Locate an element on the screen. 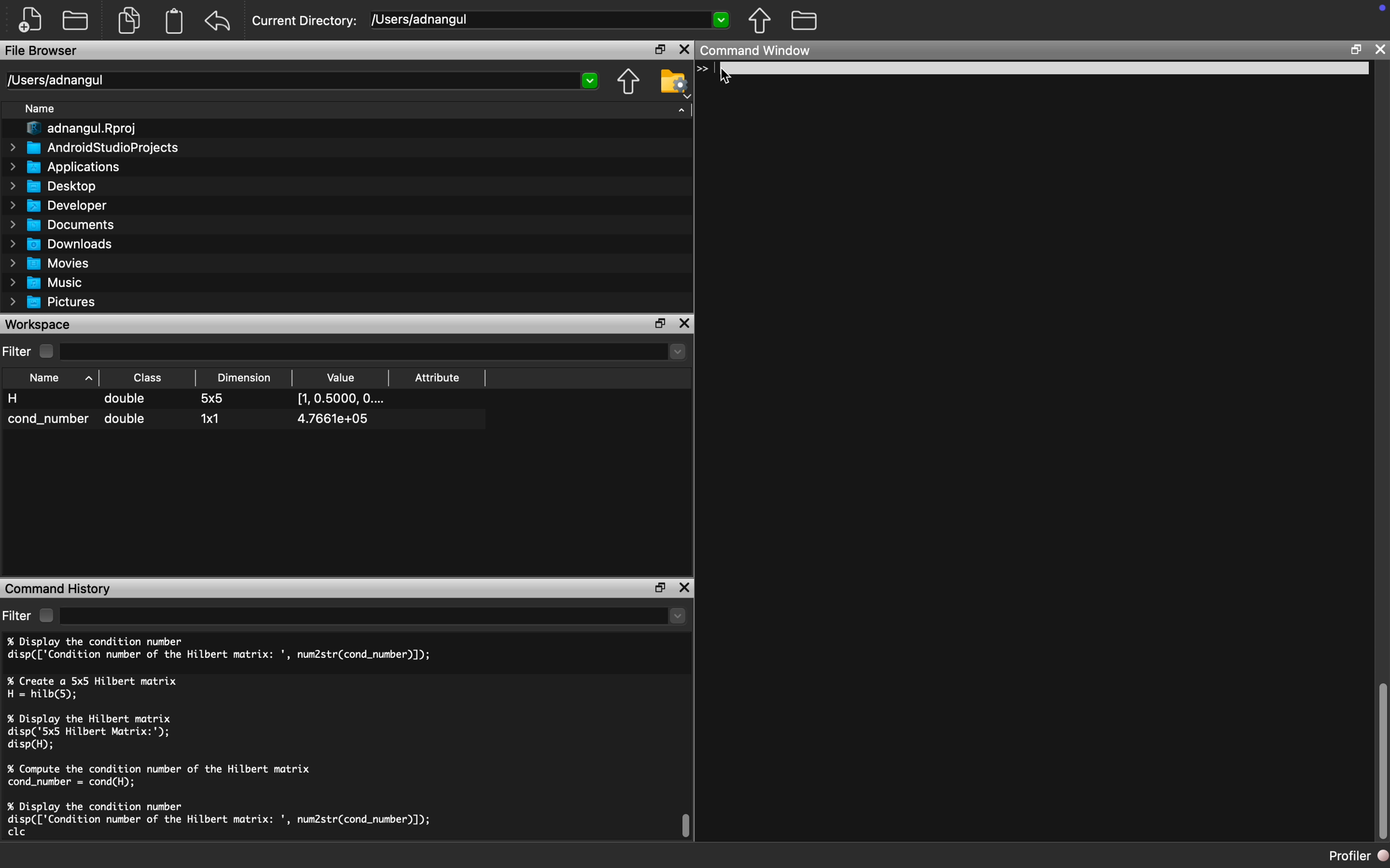 This screenshot has height=868, width=1390. Dropdown is located at coordinates (372, 353).